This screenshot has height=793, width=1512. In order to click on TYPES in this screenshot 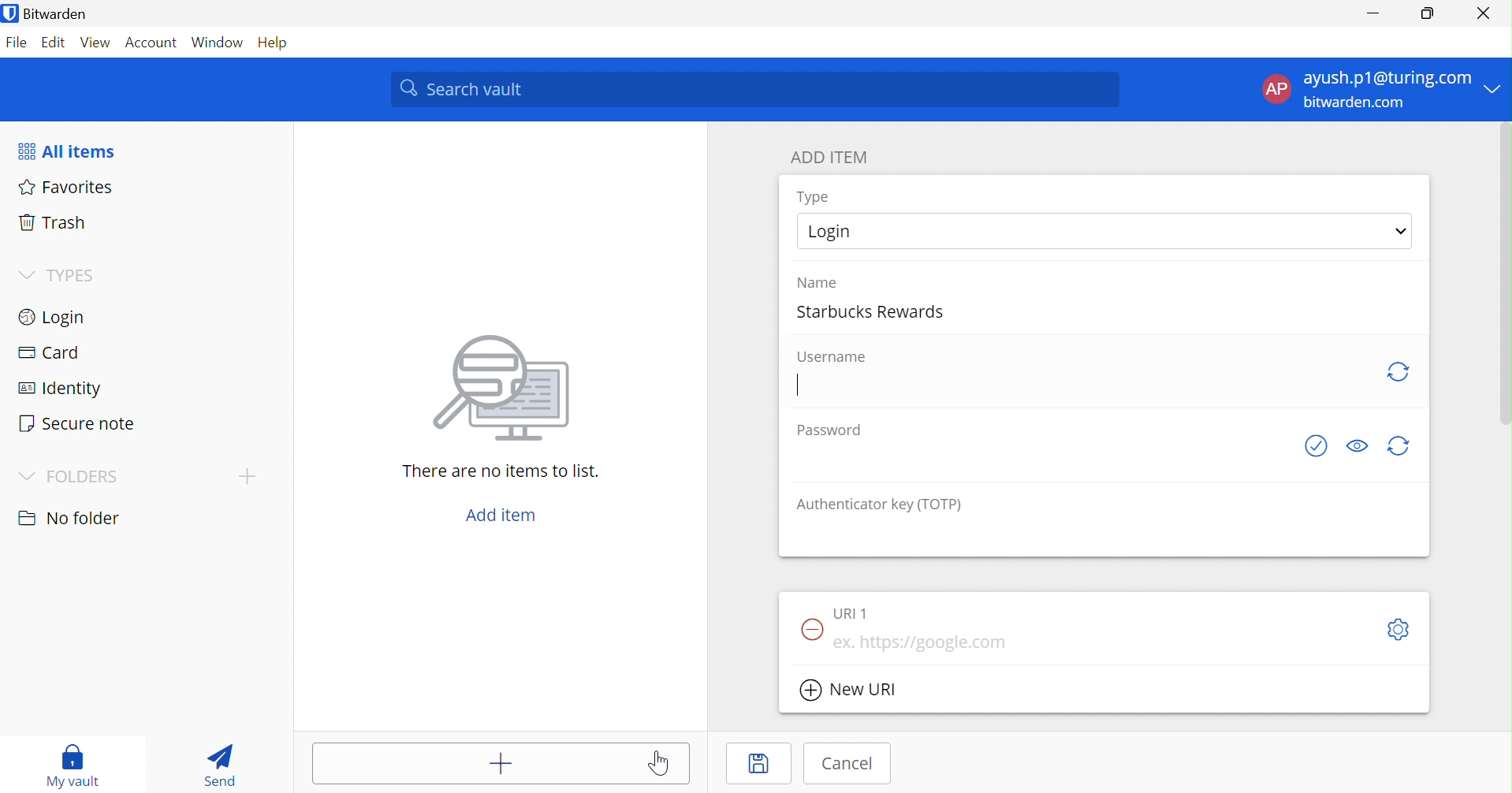, I will do `click(76, 275)`.